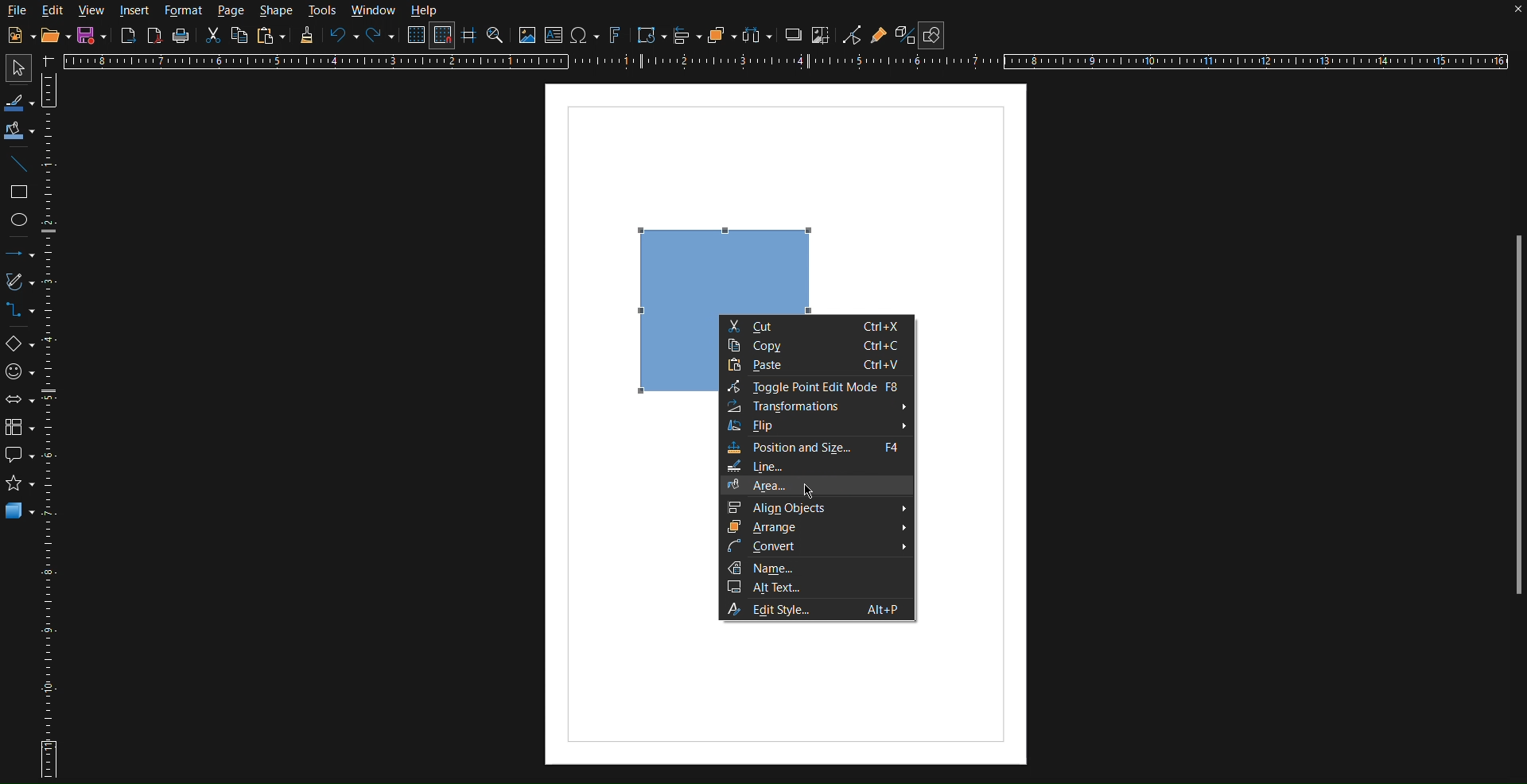 The width and height of the screenshot is (1527, 784). I want to click on Name, so click(817, 569).